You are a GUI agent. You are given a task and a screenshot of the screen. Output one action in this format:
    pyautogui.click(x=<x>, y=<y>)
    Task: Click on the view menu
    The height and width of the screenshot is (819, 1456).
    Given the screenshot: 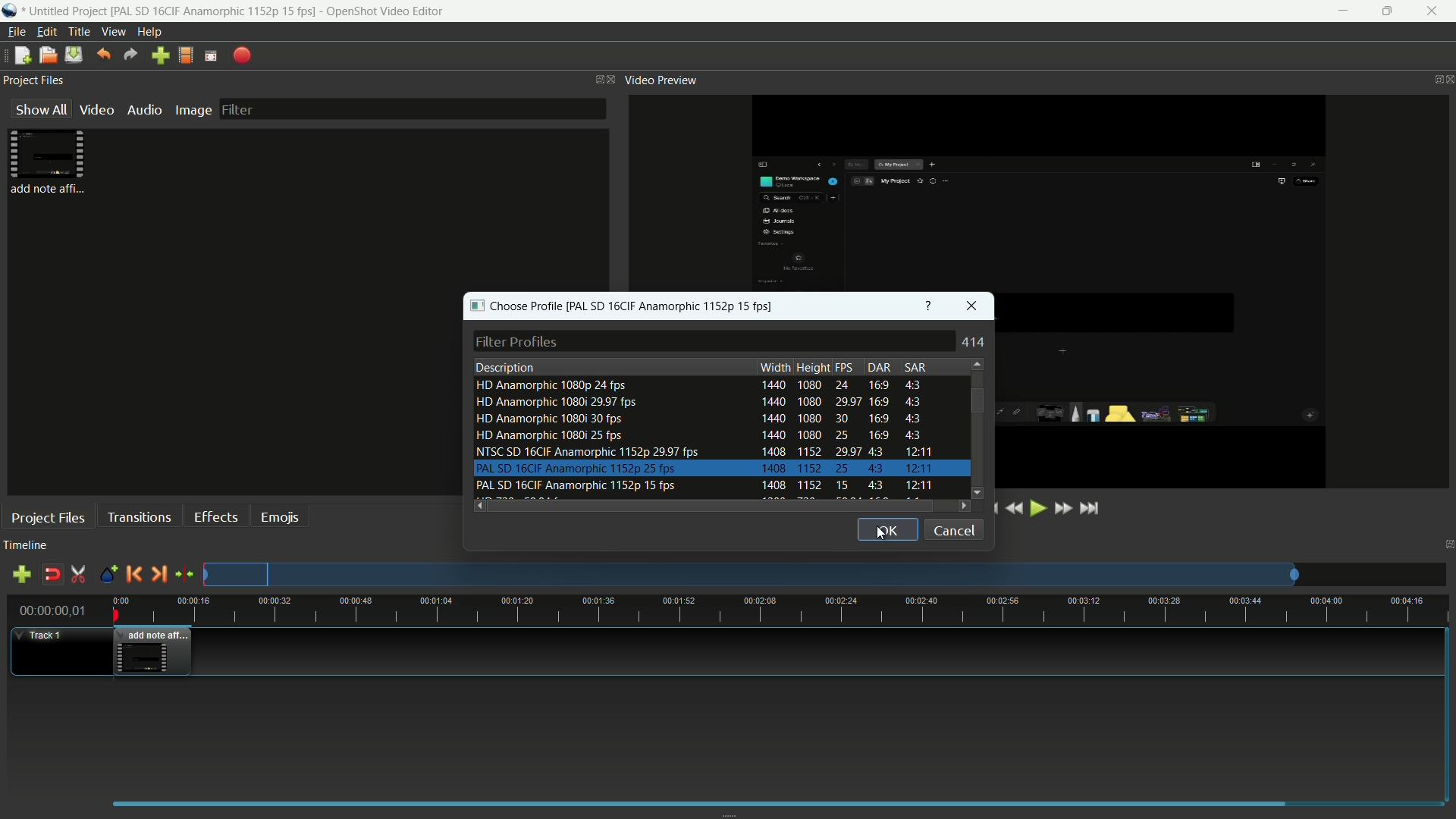 What is the action you would take?
    pyautogui.click(x=111, y=32)
    